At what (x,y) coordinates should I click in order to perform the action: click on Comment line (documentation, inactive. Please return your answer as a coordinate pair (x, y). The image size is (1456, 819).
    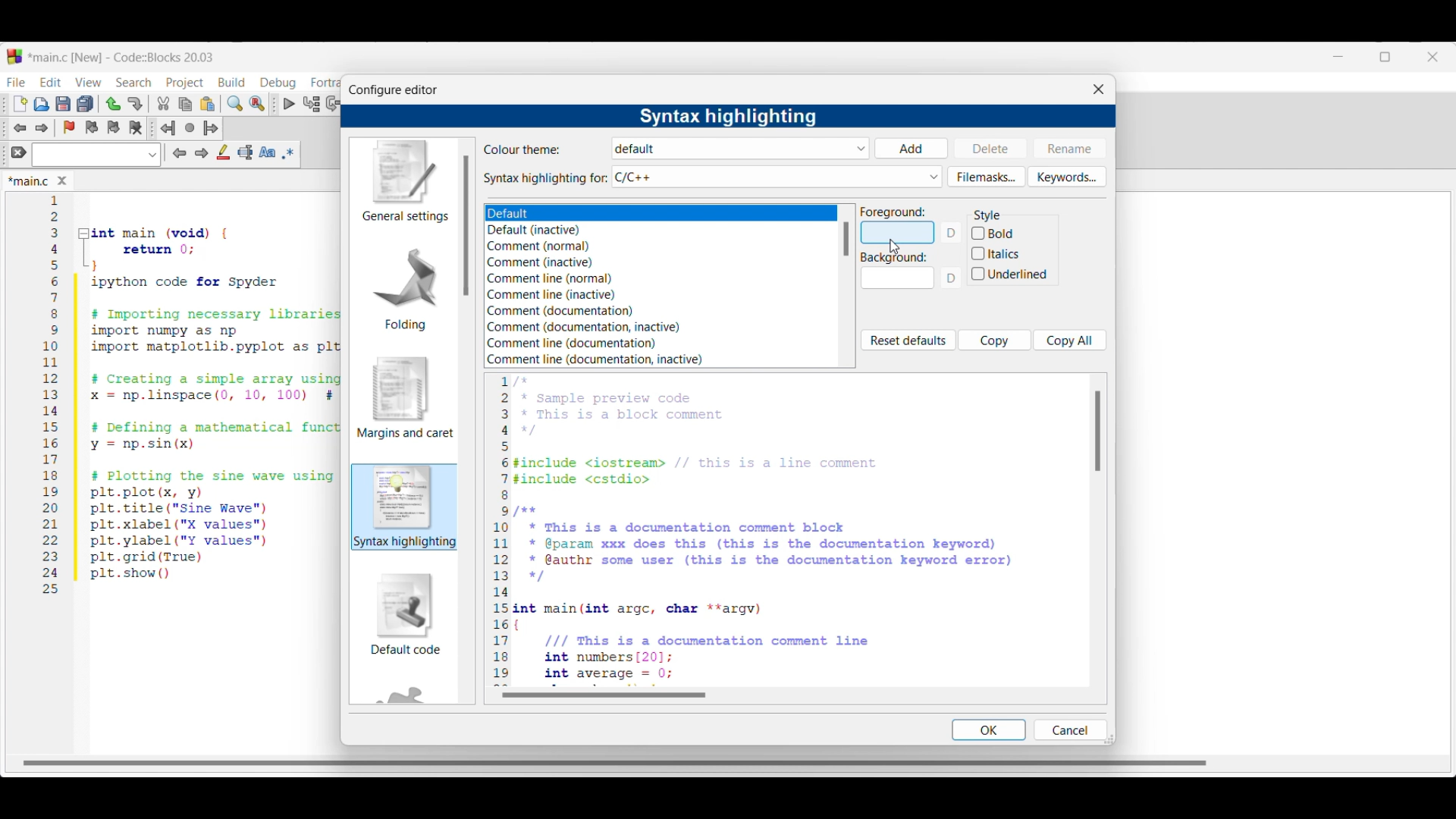
    Looking at the image, I should click on (595, 359).